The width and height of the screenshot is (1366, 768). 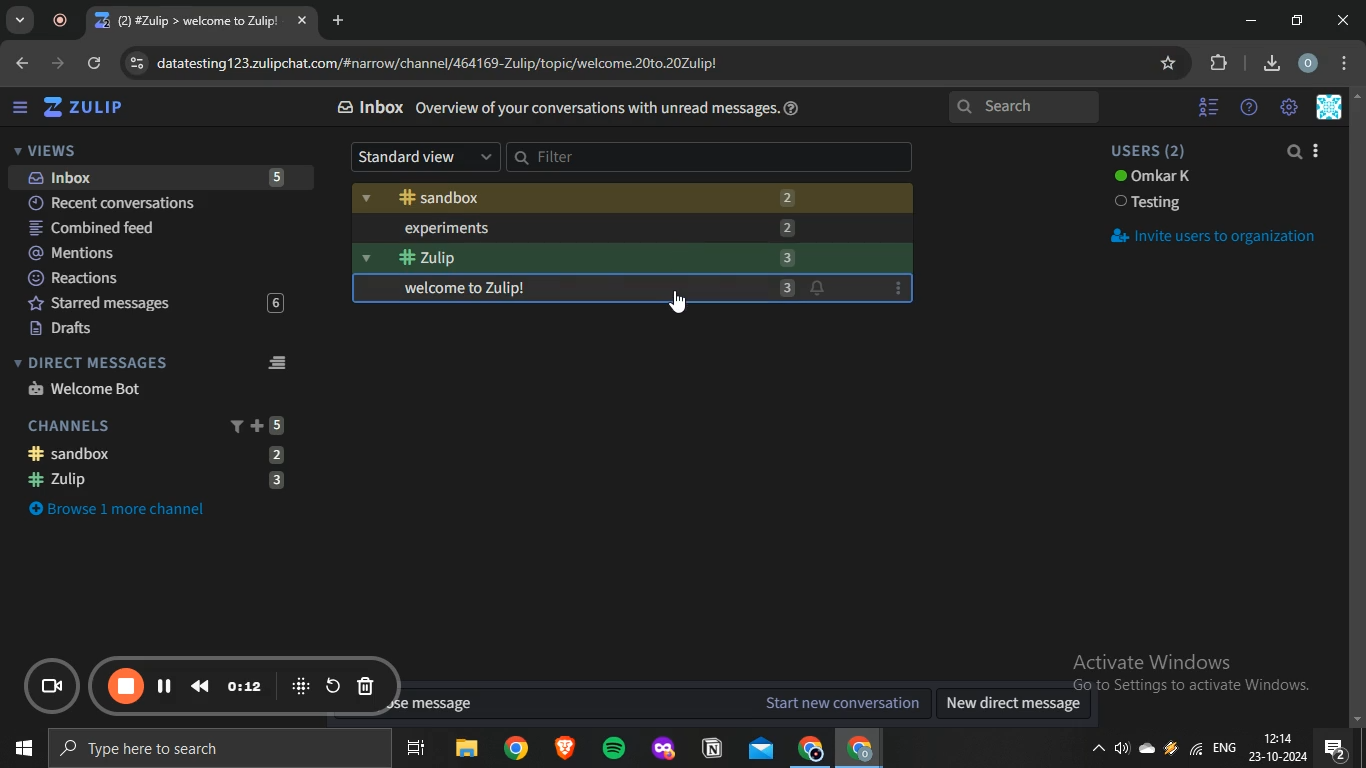 I want to click on search, so click(x=1296, y=153).